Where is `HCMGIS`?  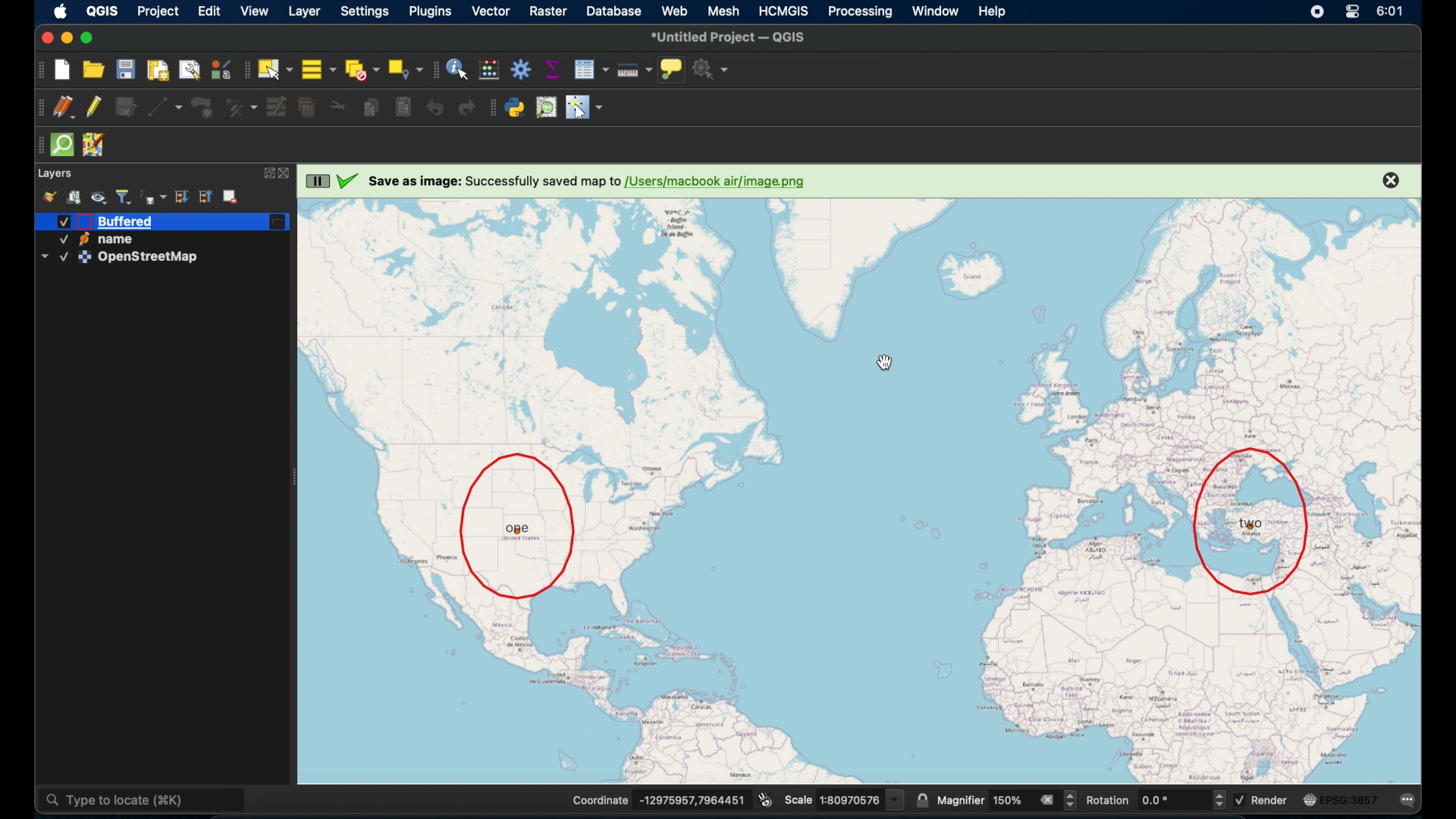 HCMGIS is located at coordinates (786, 11).